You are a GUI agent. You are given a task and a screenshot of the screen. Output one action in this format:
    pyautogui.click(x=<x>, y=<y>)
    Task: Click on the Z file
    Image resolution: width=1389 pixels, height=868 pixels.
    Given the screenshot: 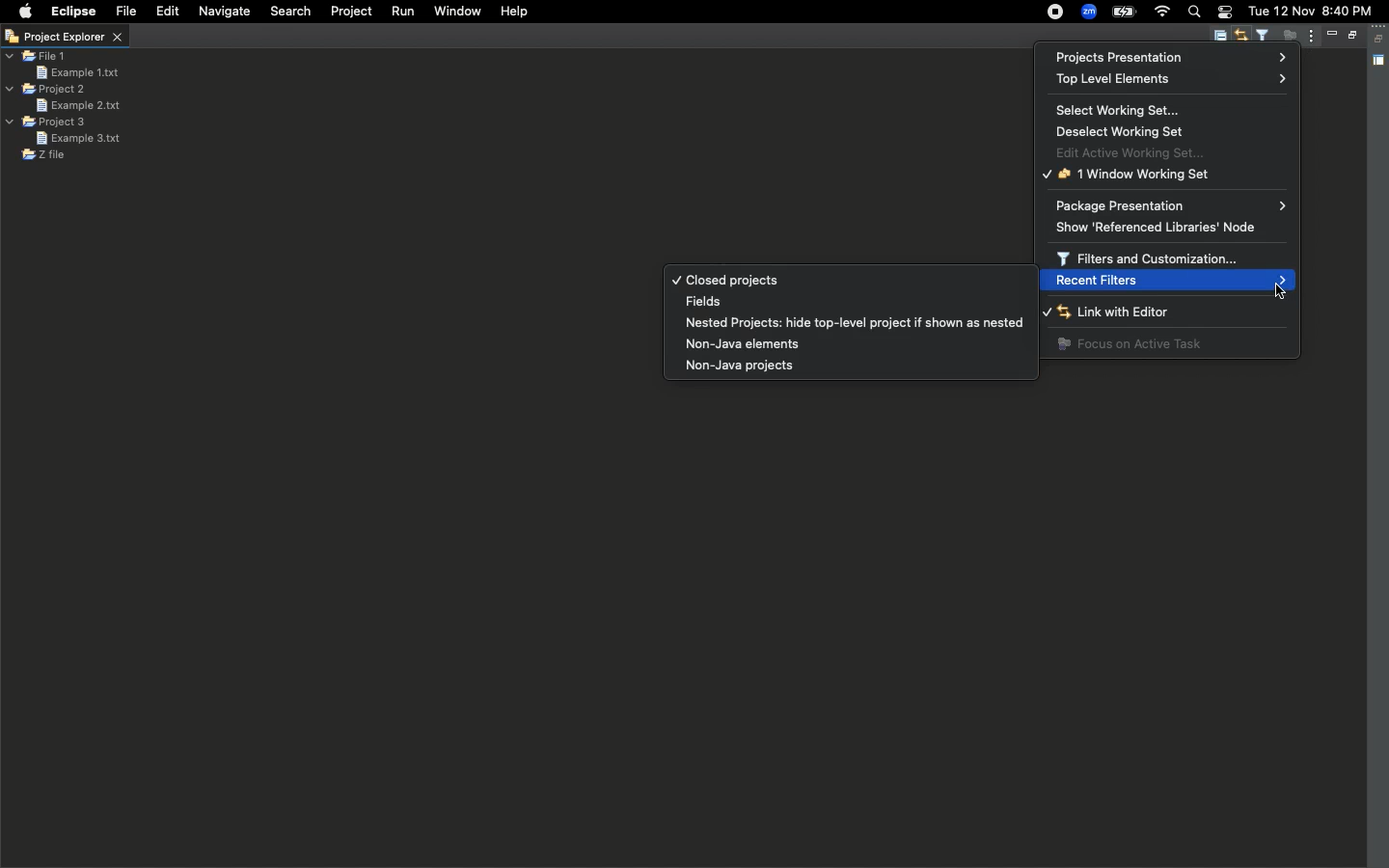 What is the action you would take?
    pyautogui.click(x=43, y=155)
    